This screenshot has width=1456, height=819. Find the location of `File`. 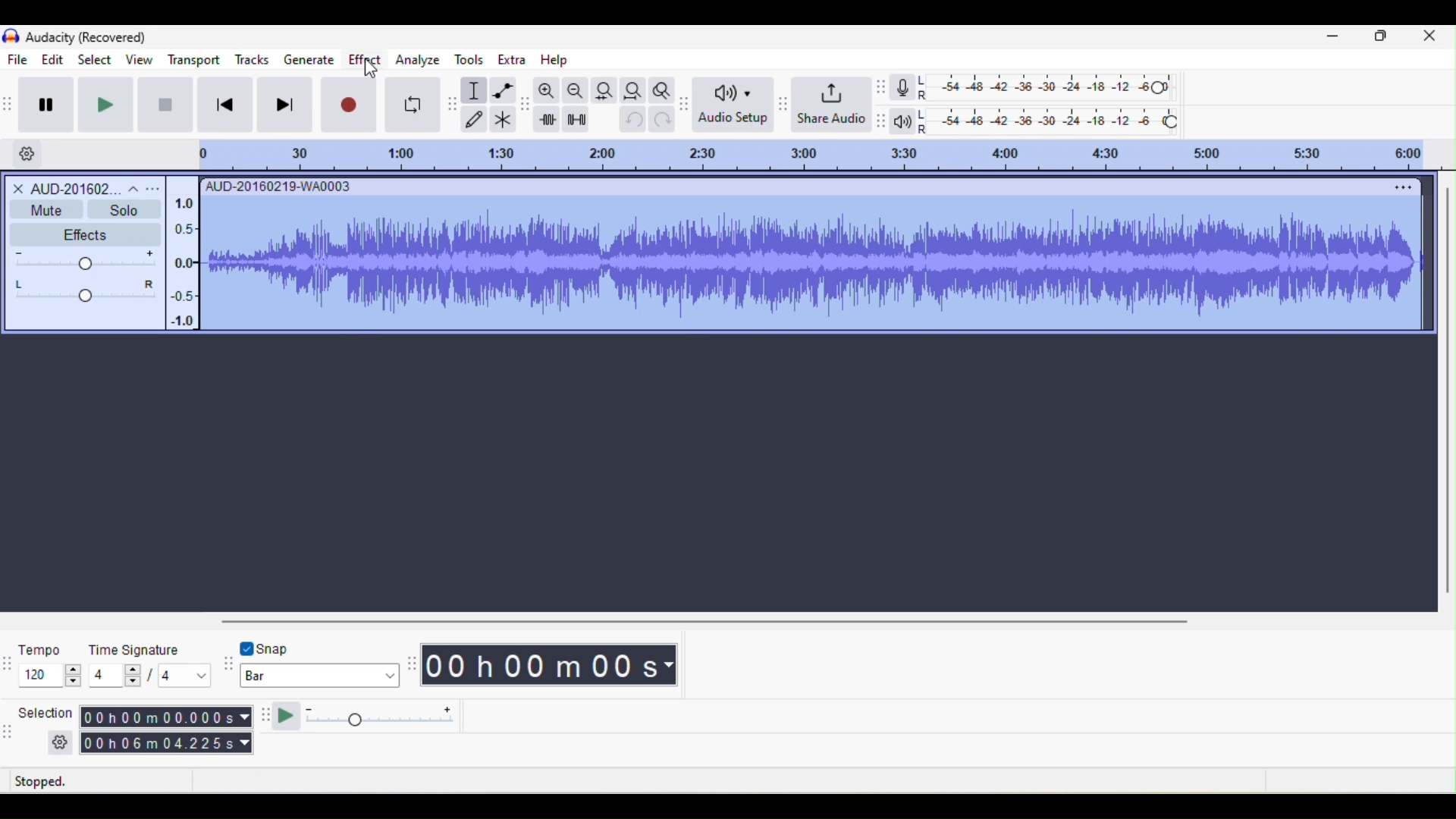

File is located at coordinates (16, 58).